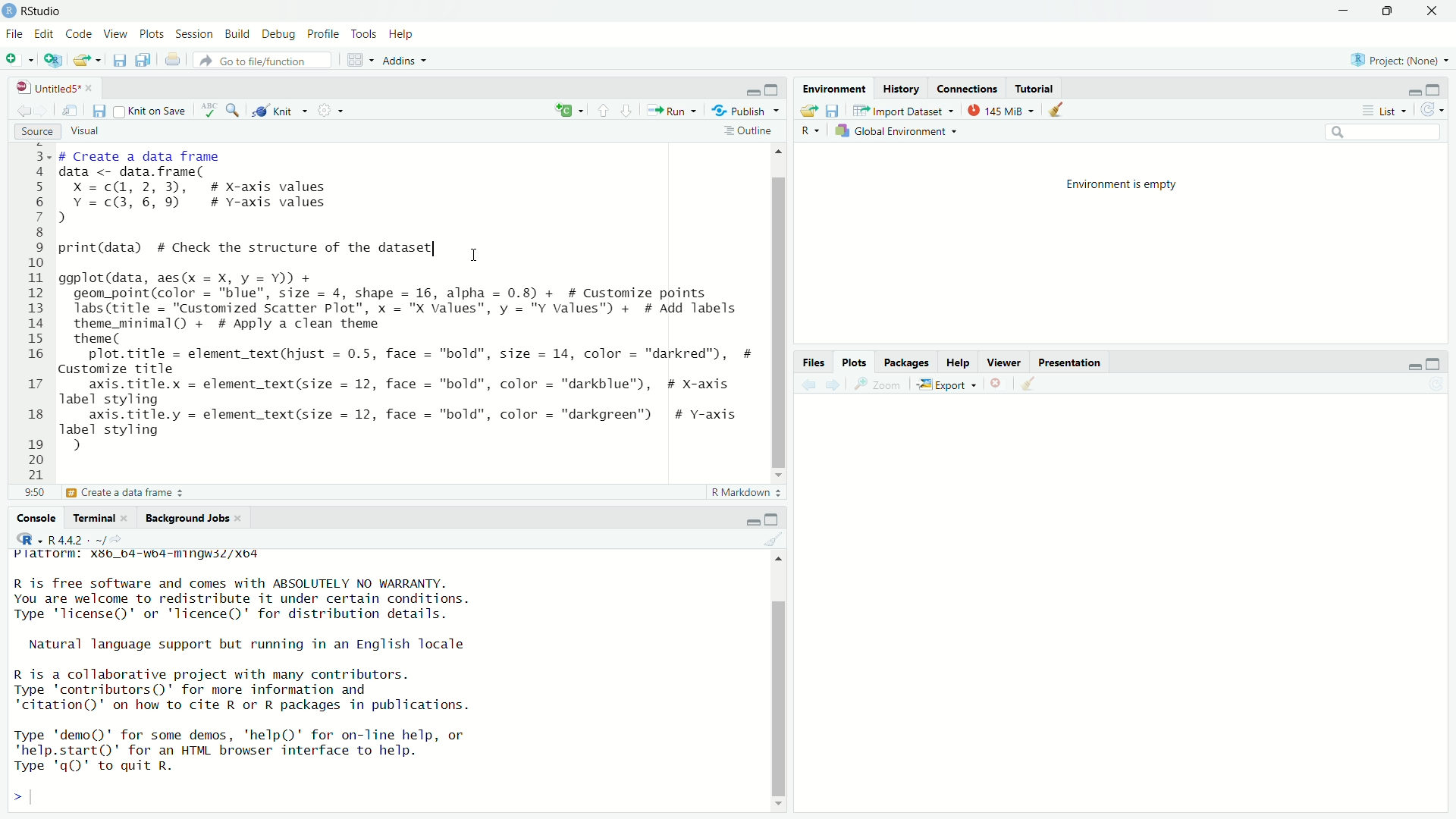  What do you see at coordinates (36, 315) in the screenshot?
I see `E
4
5
6
7
8
9
10
11
12
13
14
15
16
17
18
19
20
21` at bounding box center [36, 315].